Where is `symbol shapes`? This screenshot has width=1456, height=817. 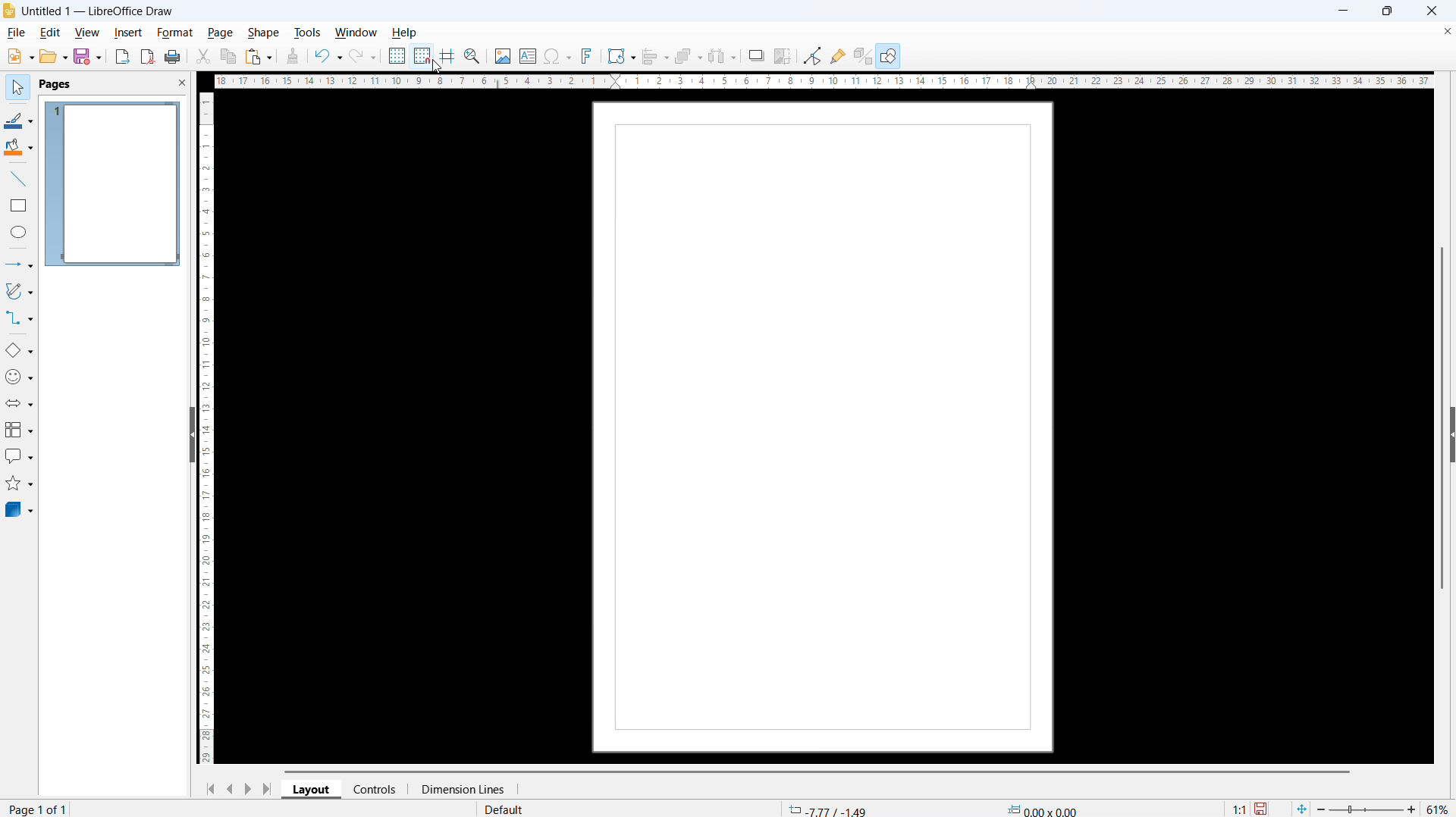 symbol shapes is located at coordinates (18, 377).